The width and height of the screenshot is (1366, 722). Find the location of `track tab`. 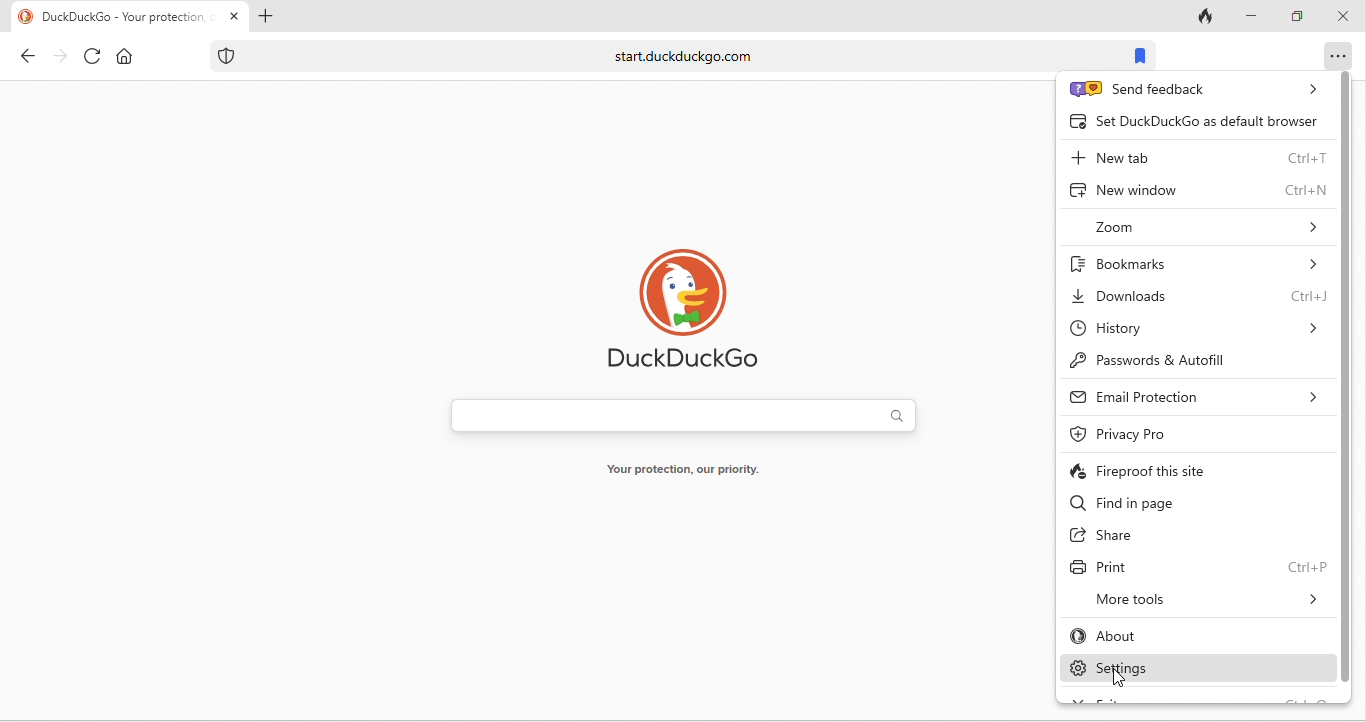

track tab is located at coordinates (1202, 18).